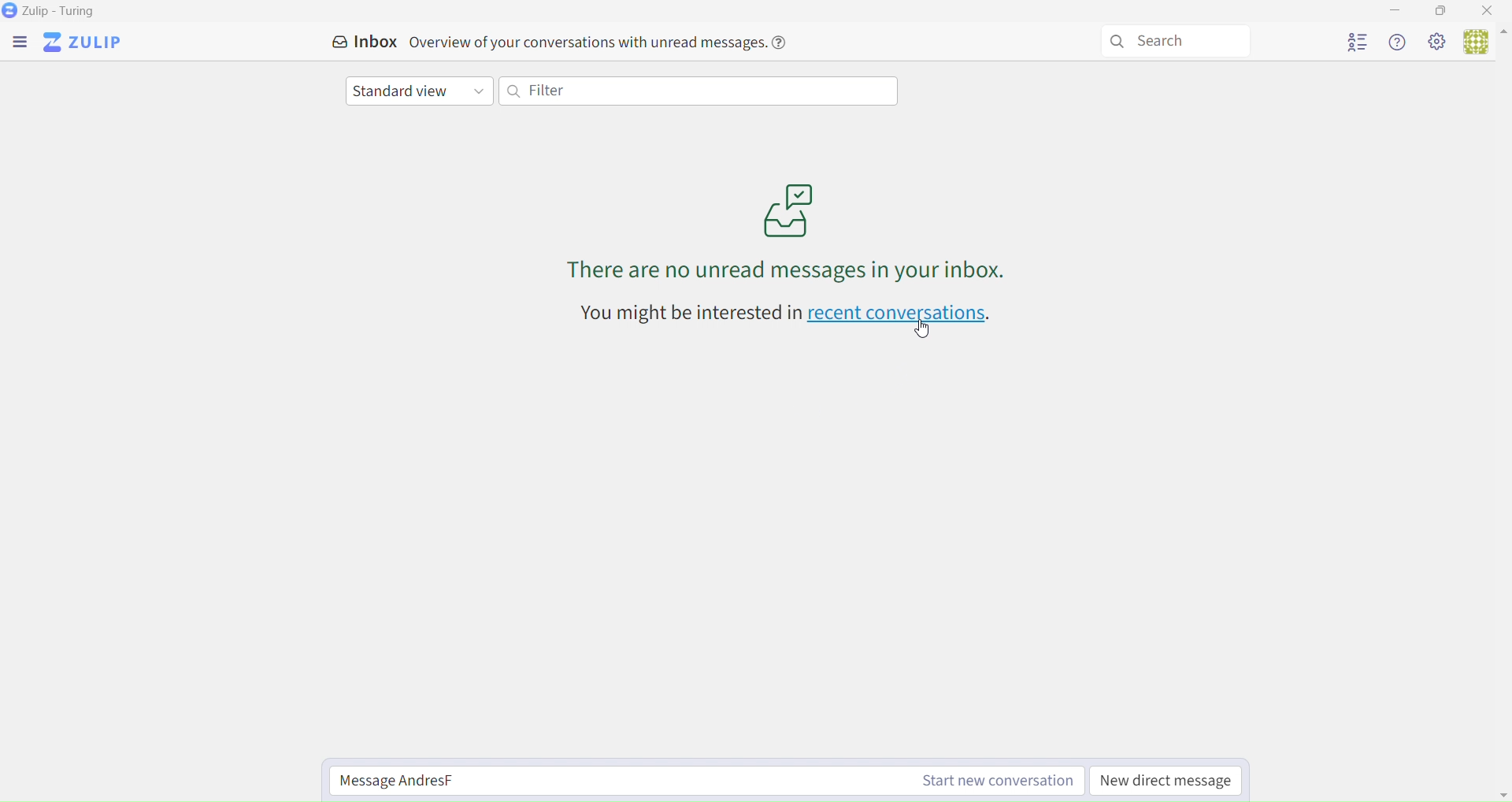 This screenshot has height=802, width=1512. Describe the element at coordinates (1165, 782) in the screenshot. I see `New direct Message` at that location.